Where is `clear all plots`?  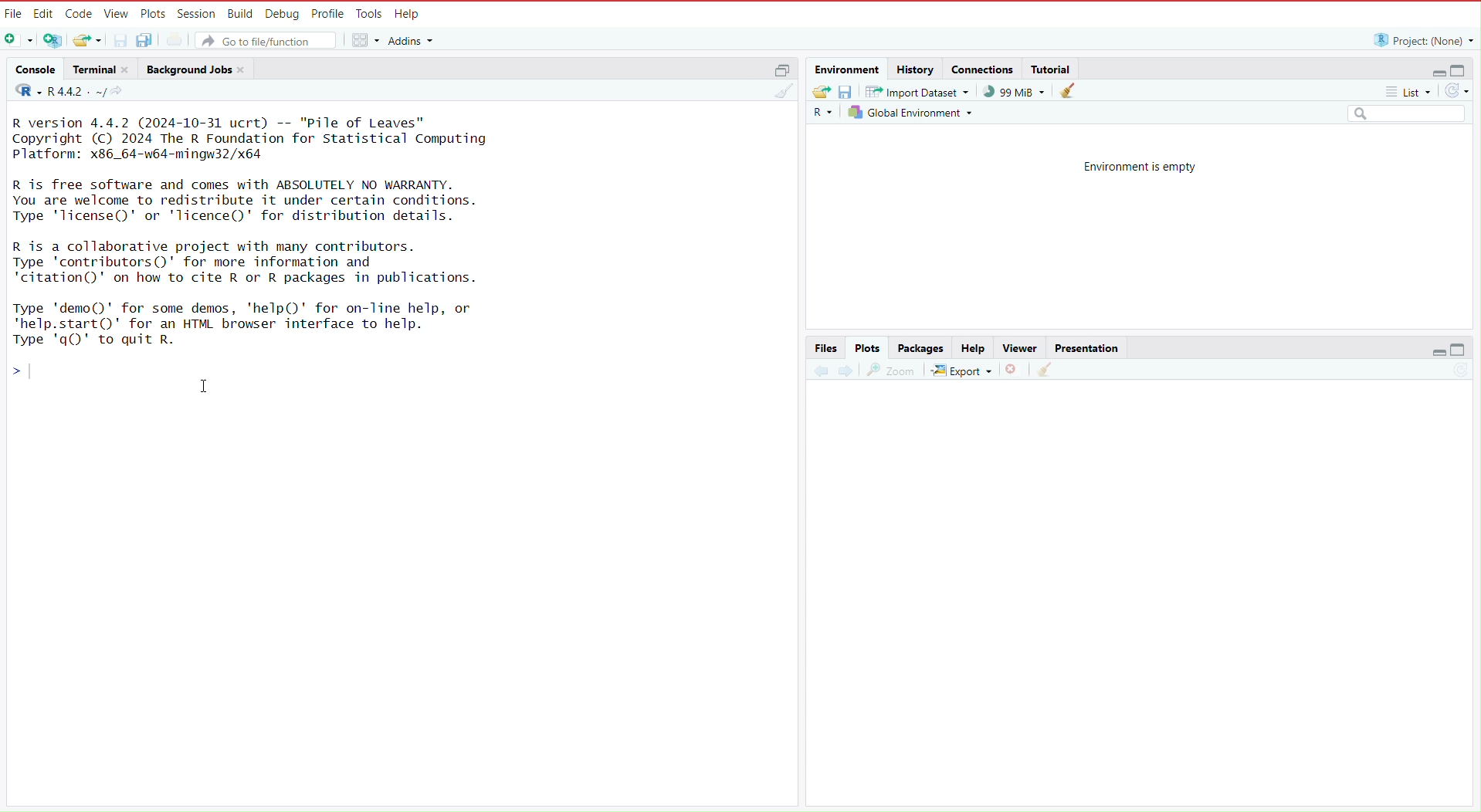 clear all plots is located at coordinates (1043, 372).